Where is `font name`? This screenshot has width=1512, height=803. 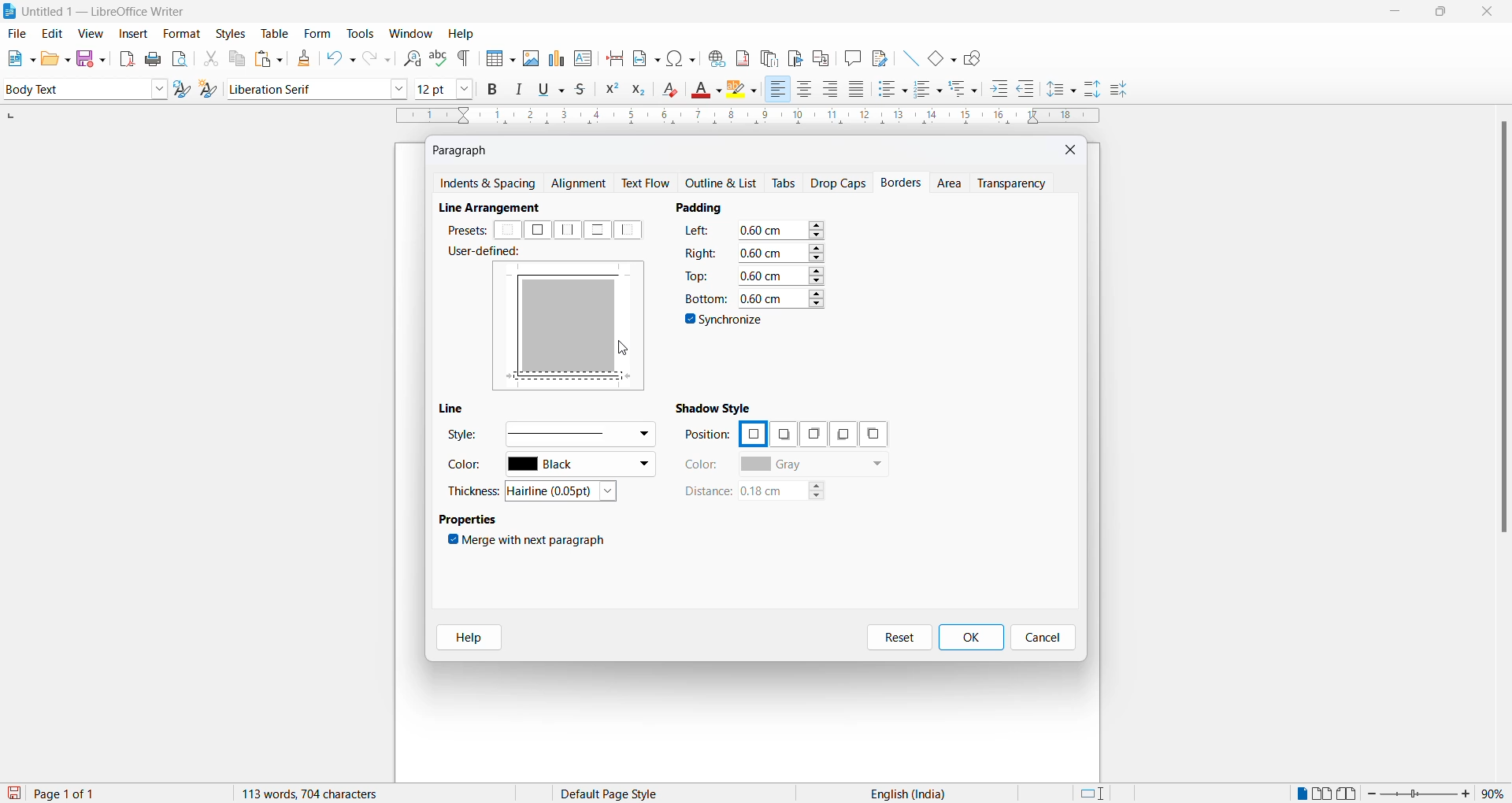
font name is located at coordinates (306, 88).